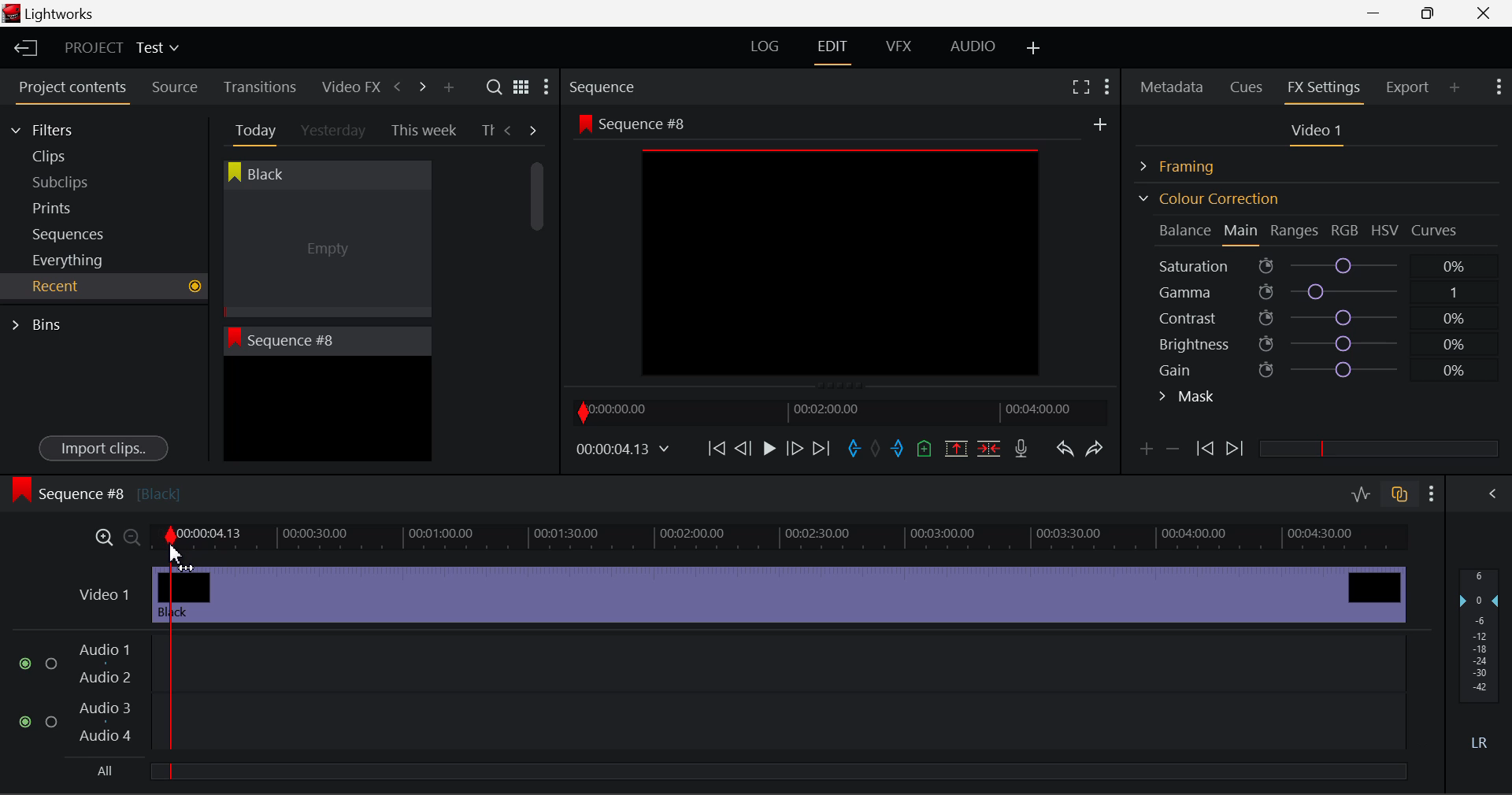 This screenshot has width=1512, height=795. I want to click on Ranges, so click(1295, 232).